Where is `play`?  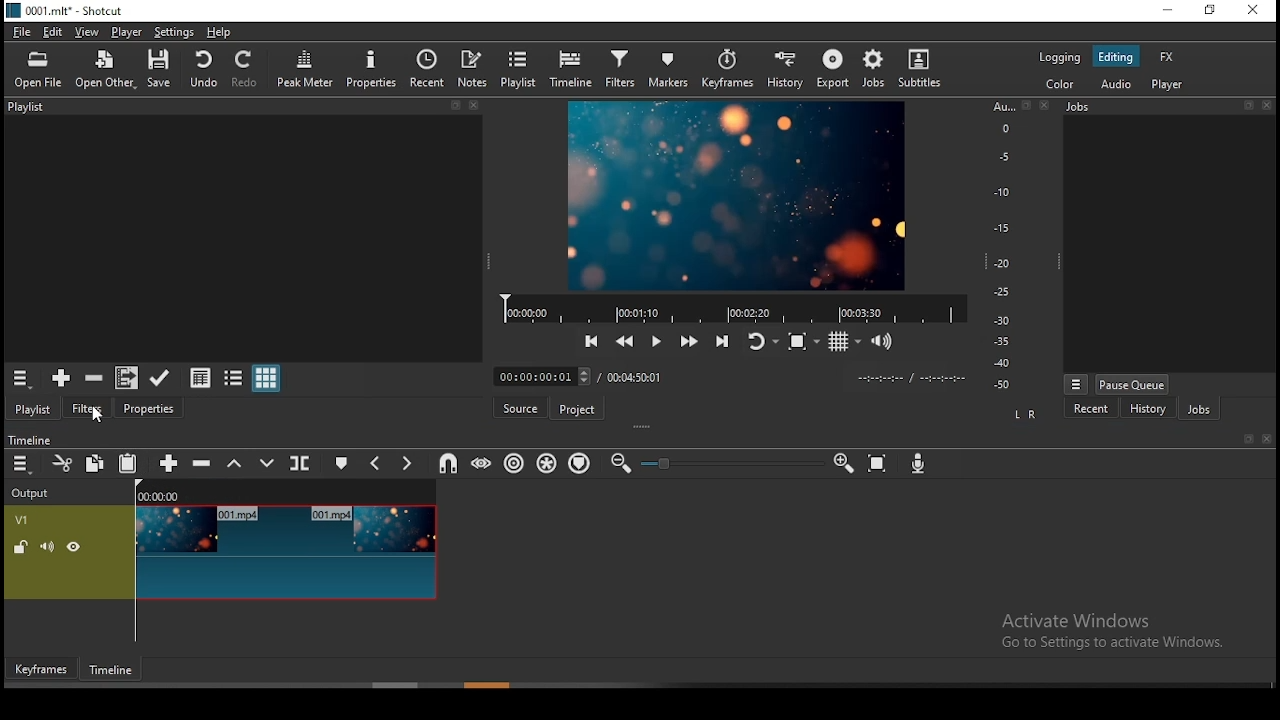
play is located at coordinates (660, 340).